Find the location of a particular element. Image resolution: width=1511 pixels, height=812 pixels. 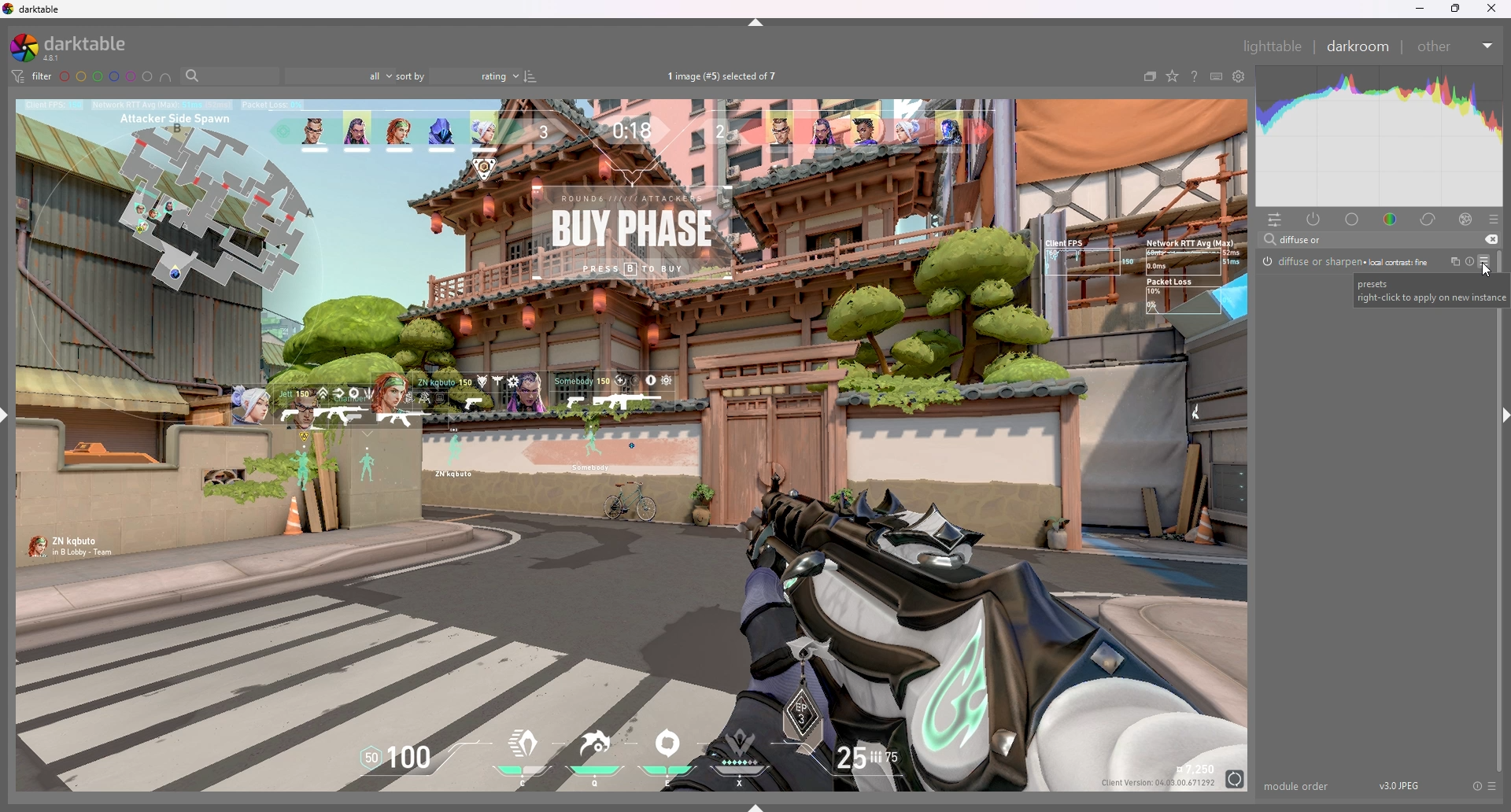

scroll bar is located at coordinates (1500, 509).